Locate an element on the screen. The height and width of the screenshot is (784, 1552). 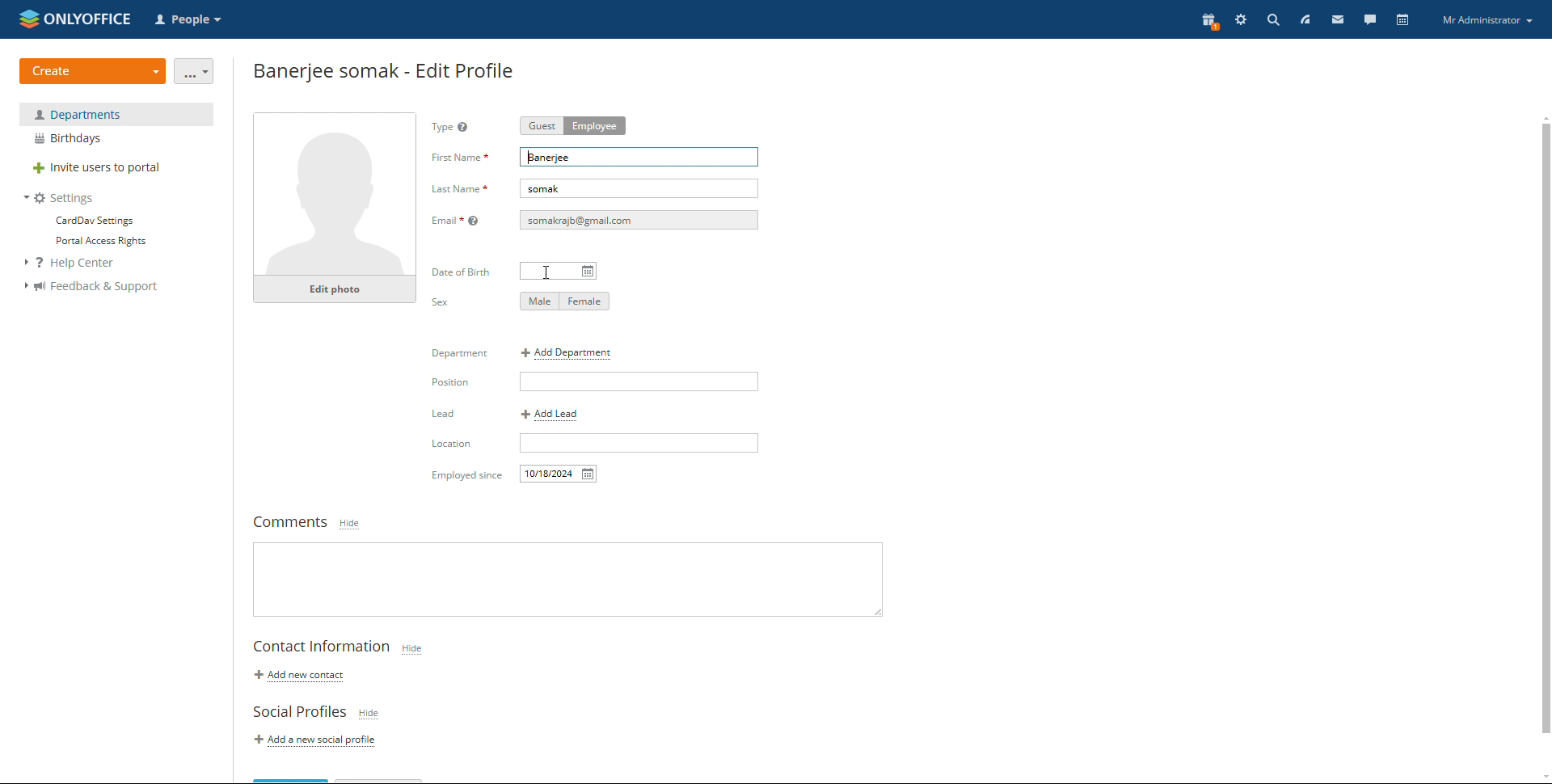
first name is located at coordinates (639, 158).